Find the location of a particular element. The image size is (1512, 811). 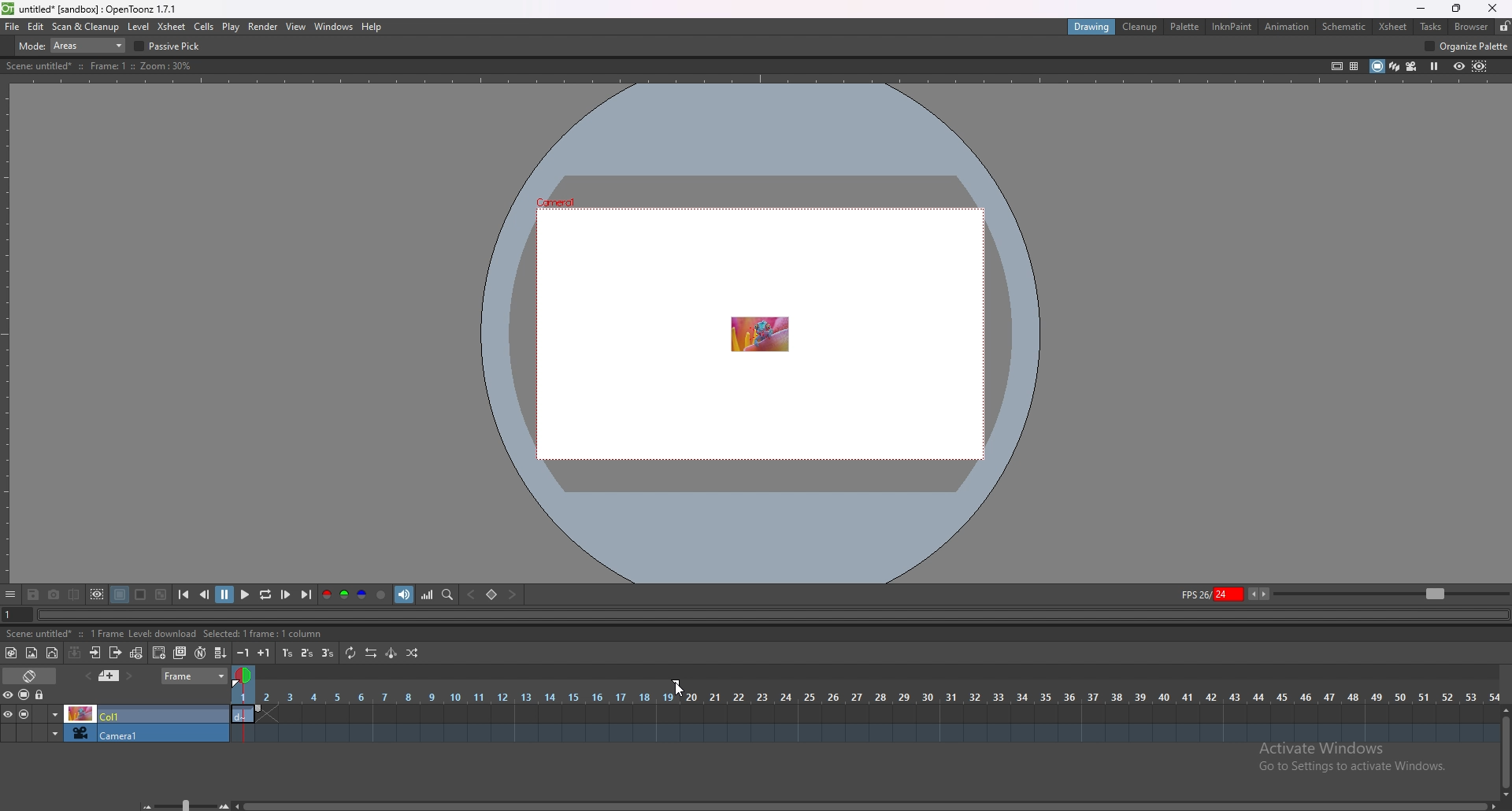

toggle edit in place is located at coordinates (138, 654).